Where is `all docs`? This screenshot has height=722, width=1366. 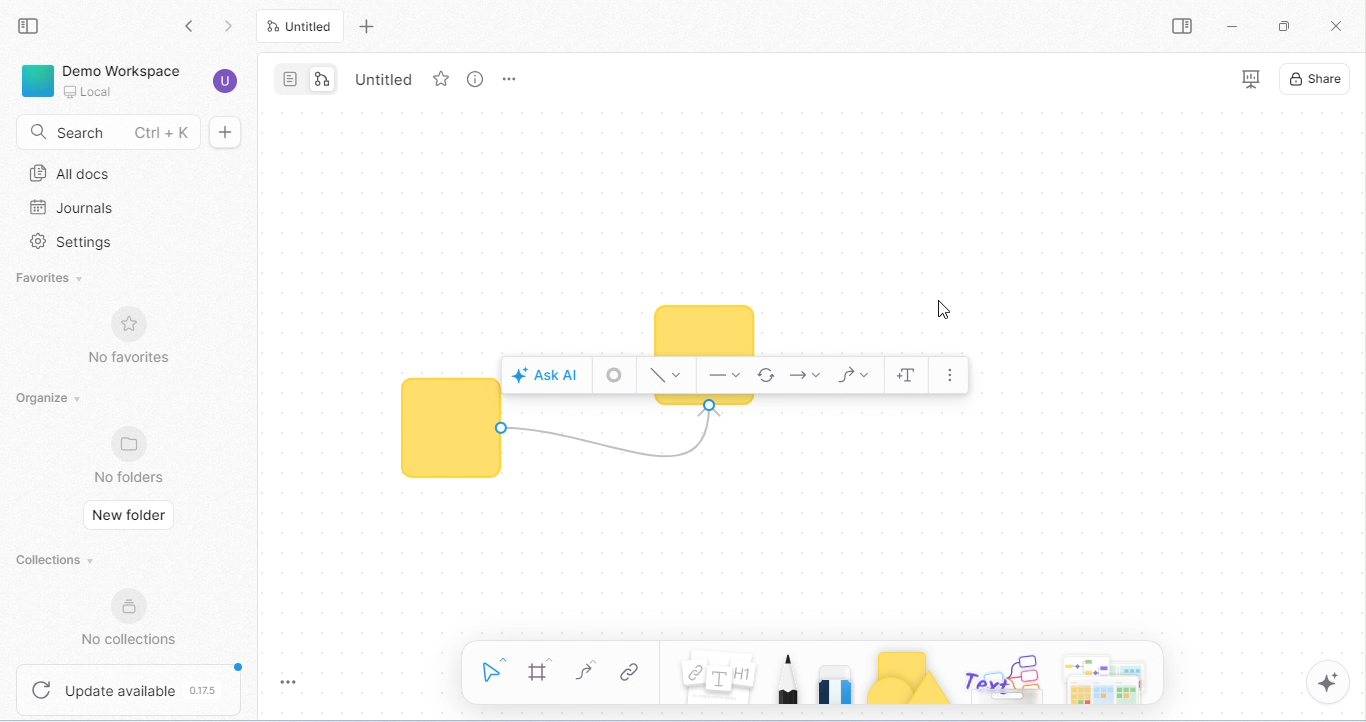
all docs is located at coordinates (72, 174).